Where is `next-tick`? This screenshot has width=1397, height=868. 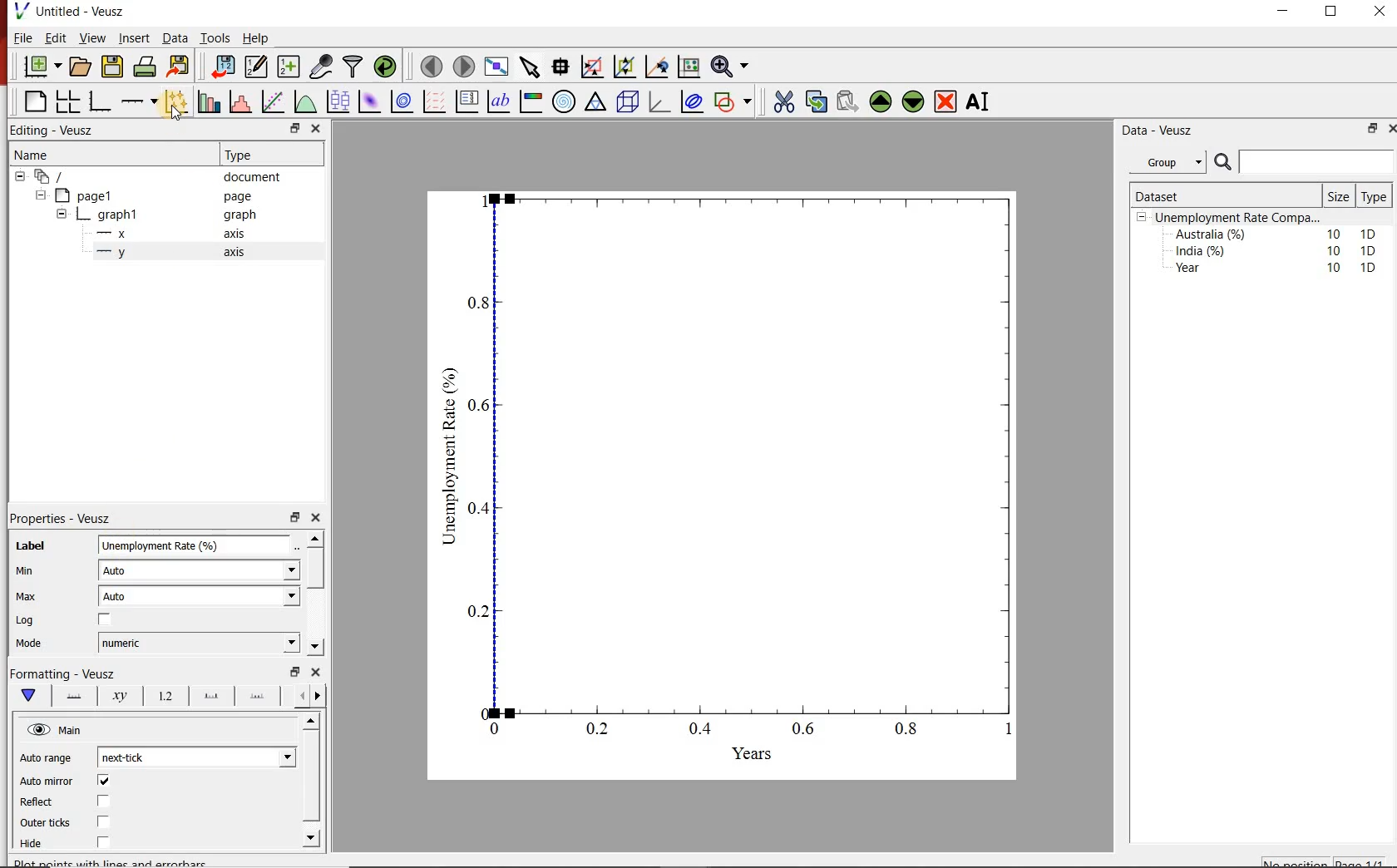
next-tick is located at coordinates (198, 755).